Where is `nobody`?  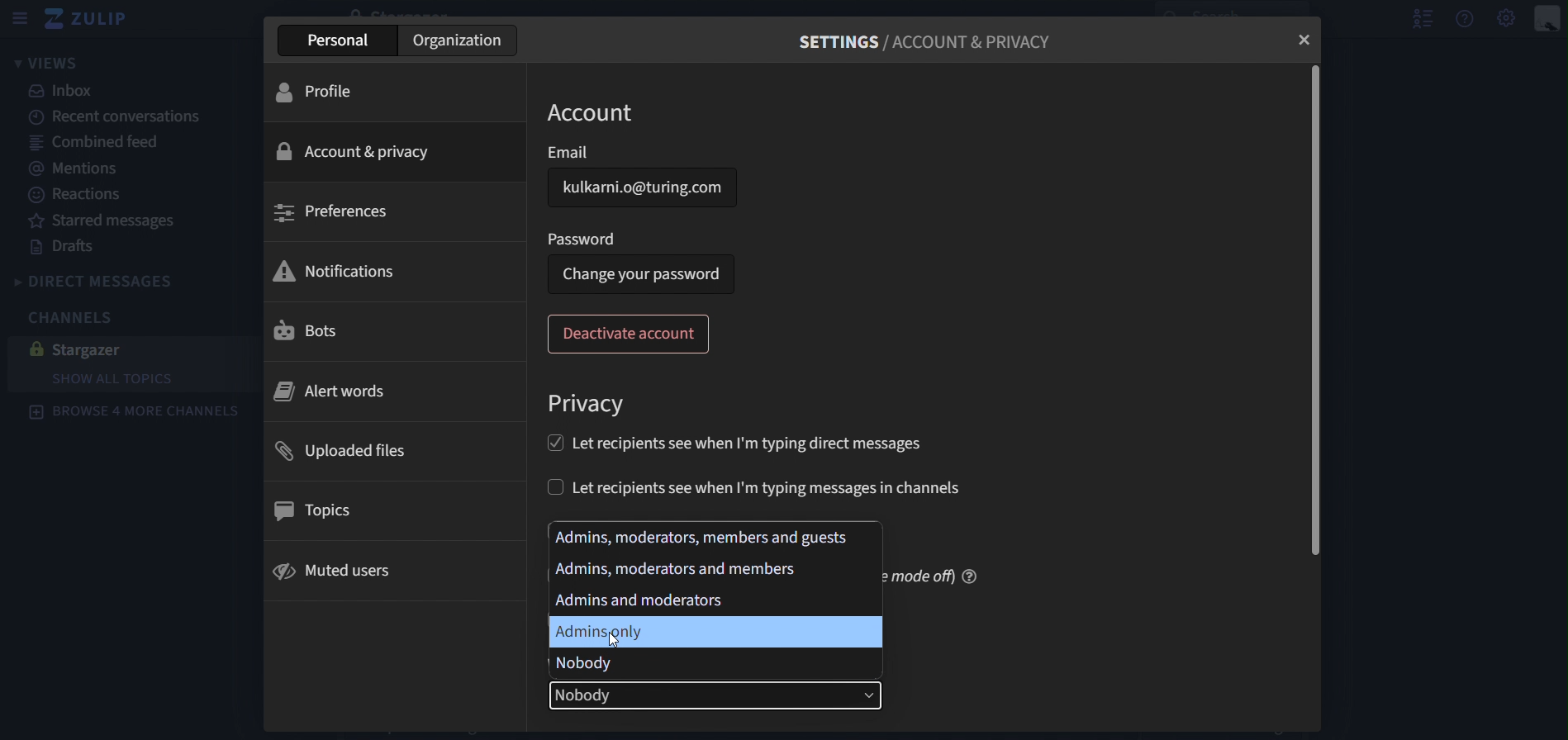
nobody is located at coordinates (586, 664).